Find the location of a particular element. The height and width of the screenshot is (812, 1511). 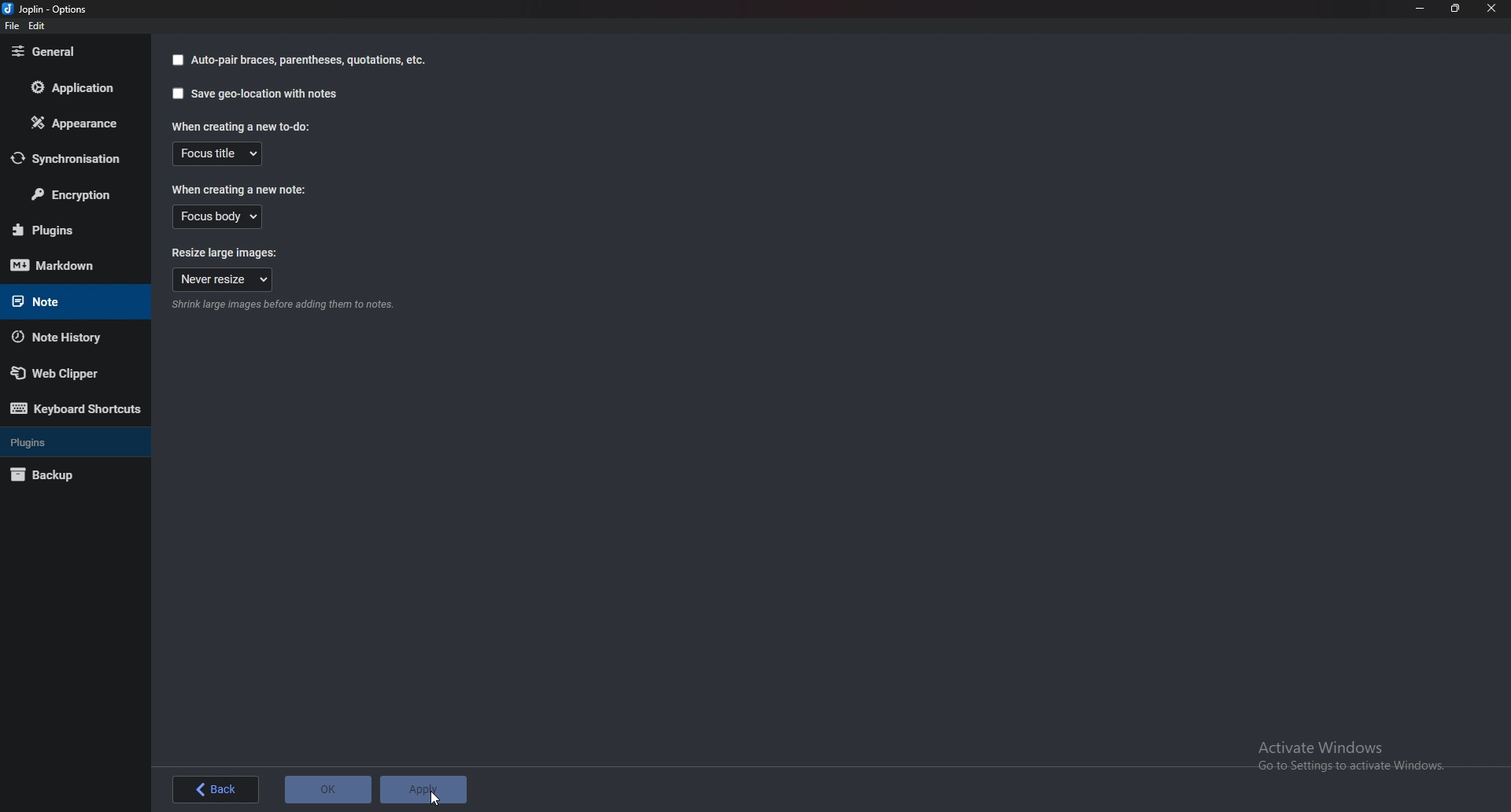

Plugins is located at coordinates (66, 230).